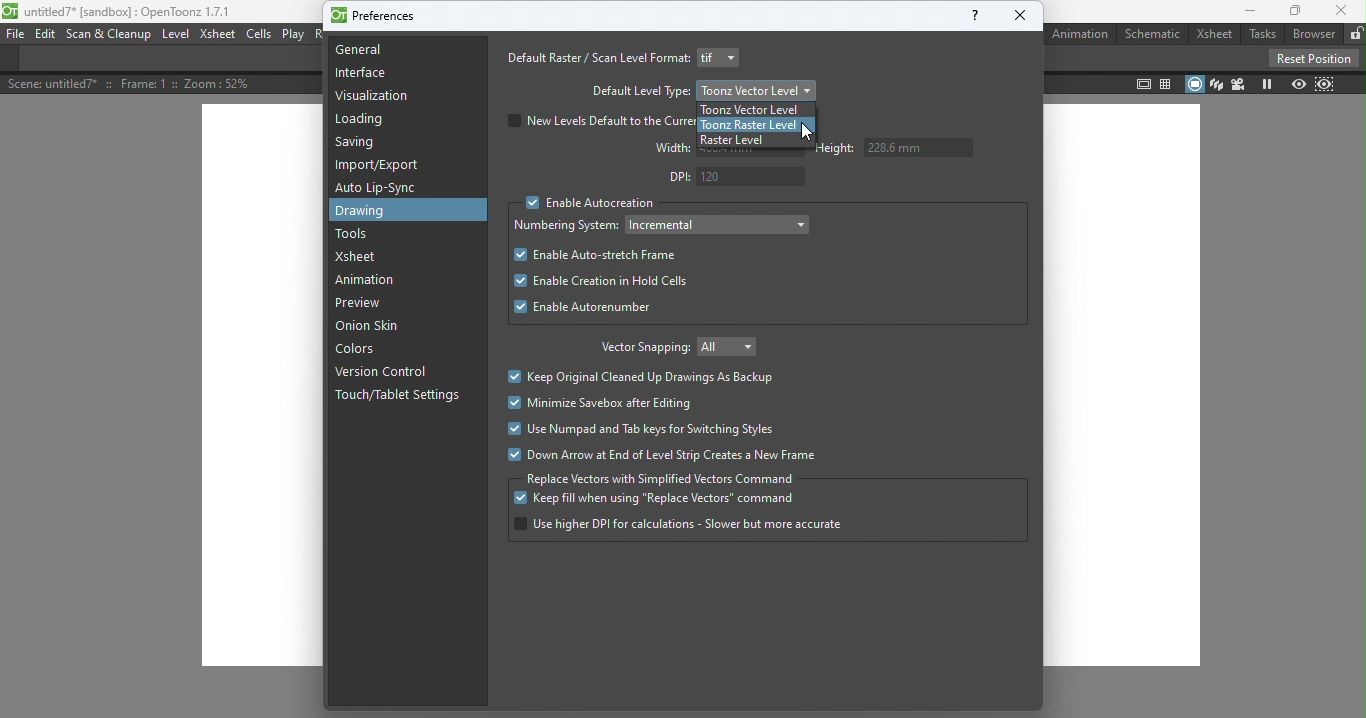 This screenshot has width=1366, height=718. I want to click on Toonz raster level, so click(744, 125).